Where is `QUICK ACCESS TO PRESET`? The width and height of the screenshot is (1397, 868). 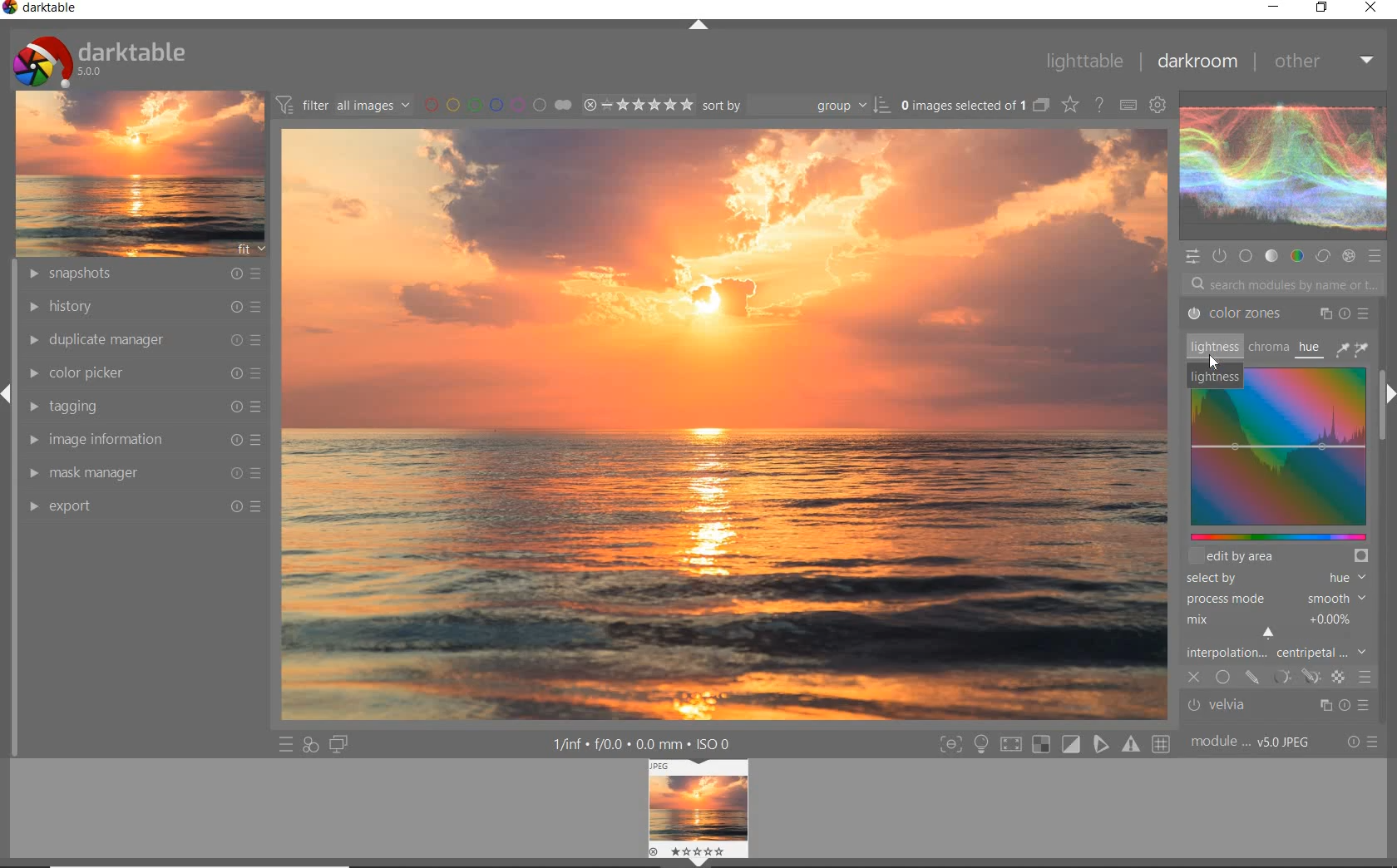 QUICK ACCESS TO PRESET is located at coordinates (284, 745).